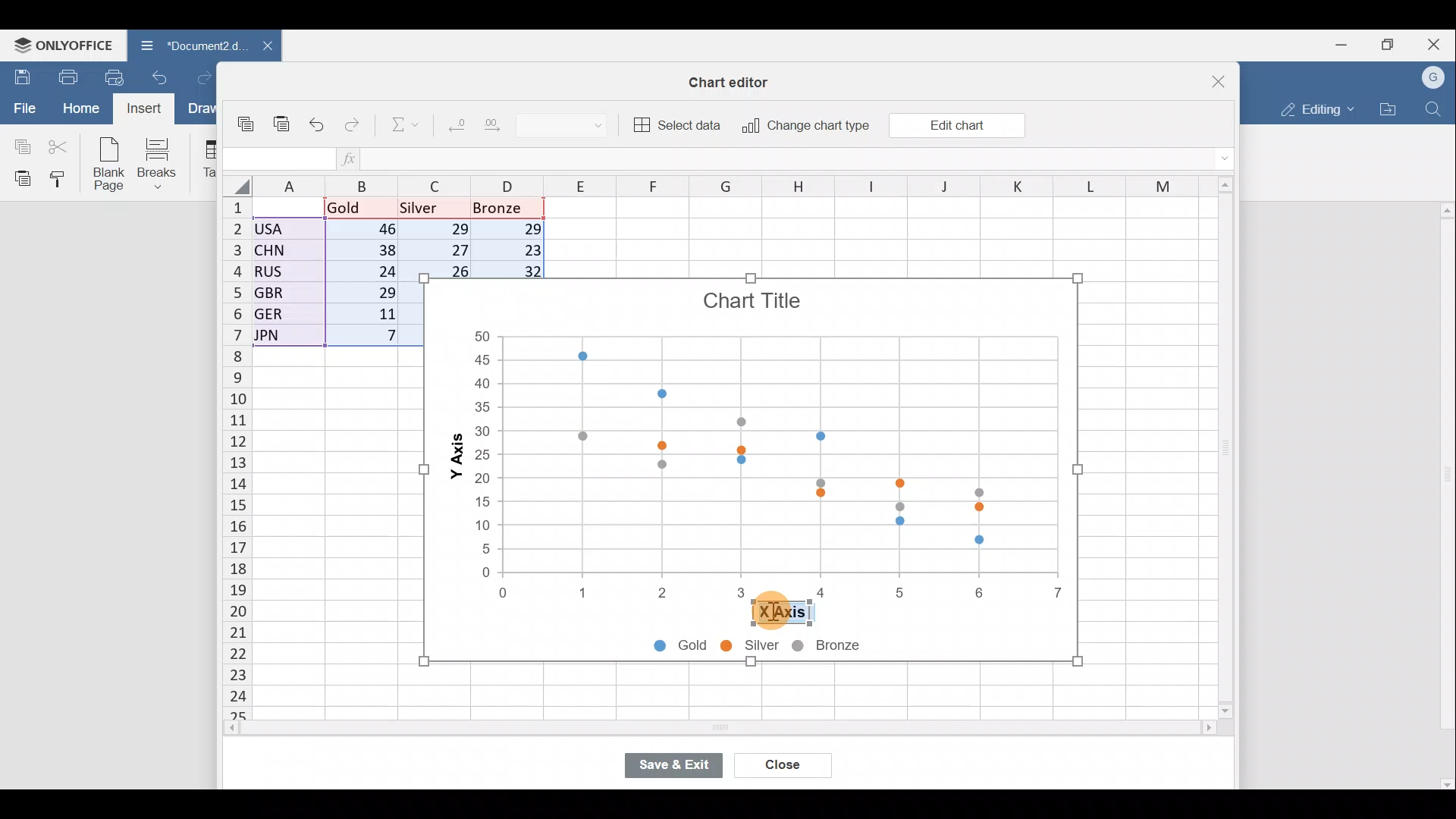 Image resolution: width=1456 pixels, height=819 pixels. I want to click on Number format, so click(573, 127).